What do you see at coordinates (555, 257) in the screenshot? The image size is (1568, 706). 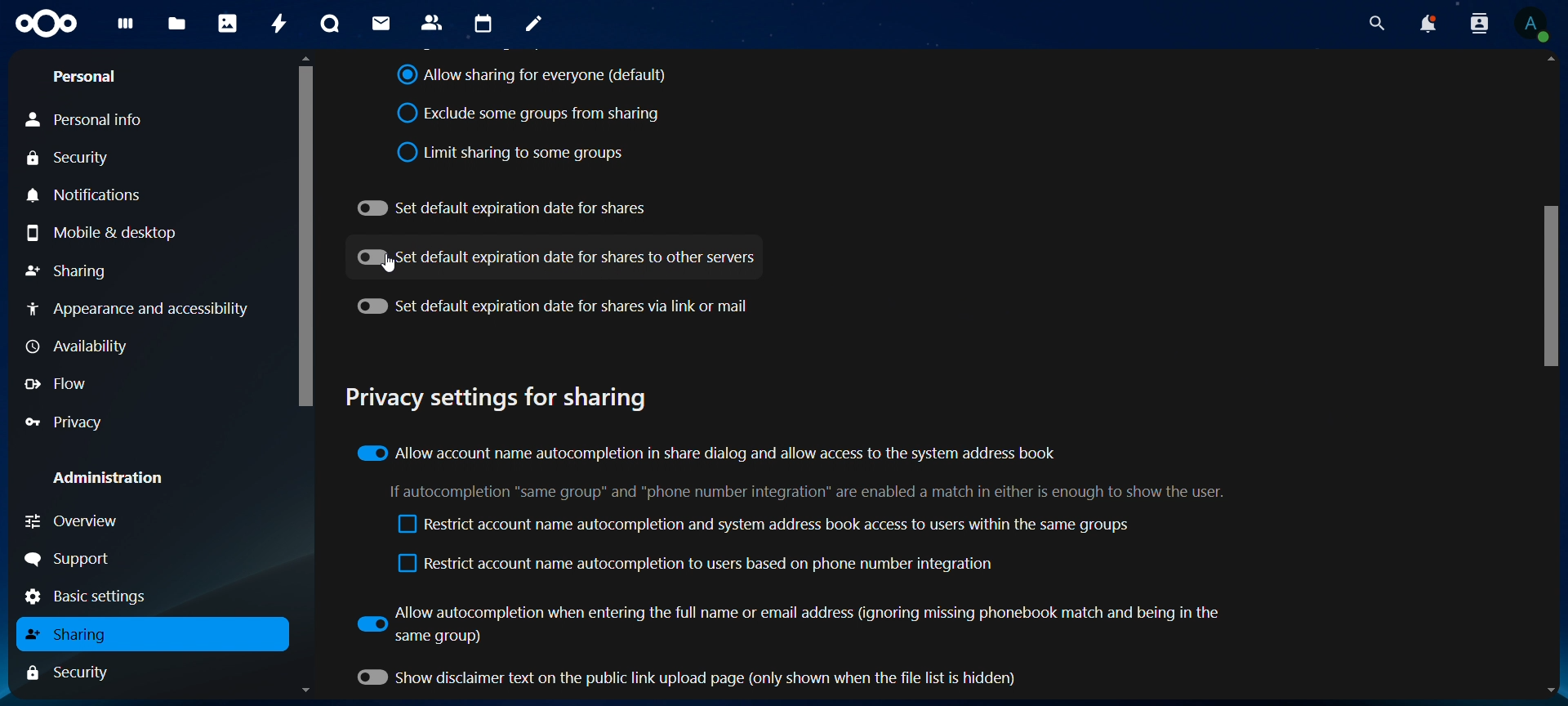 I see `set default expiration date for shares to other servers` at bounding box center [555, 257].